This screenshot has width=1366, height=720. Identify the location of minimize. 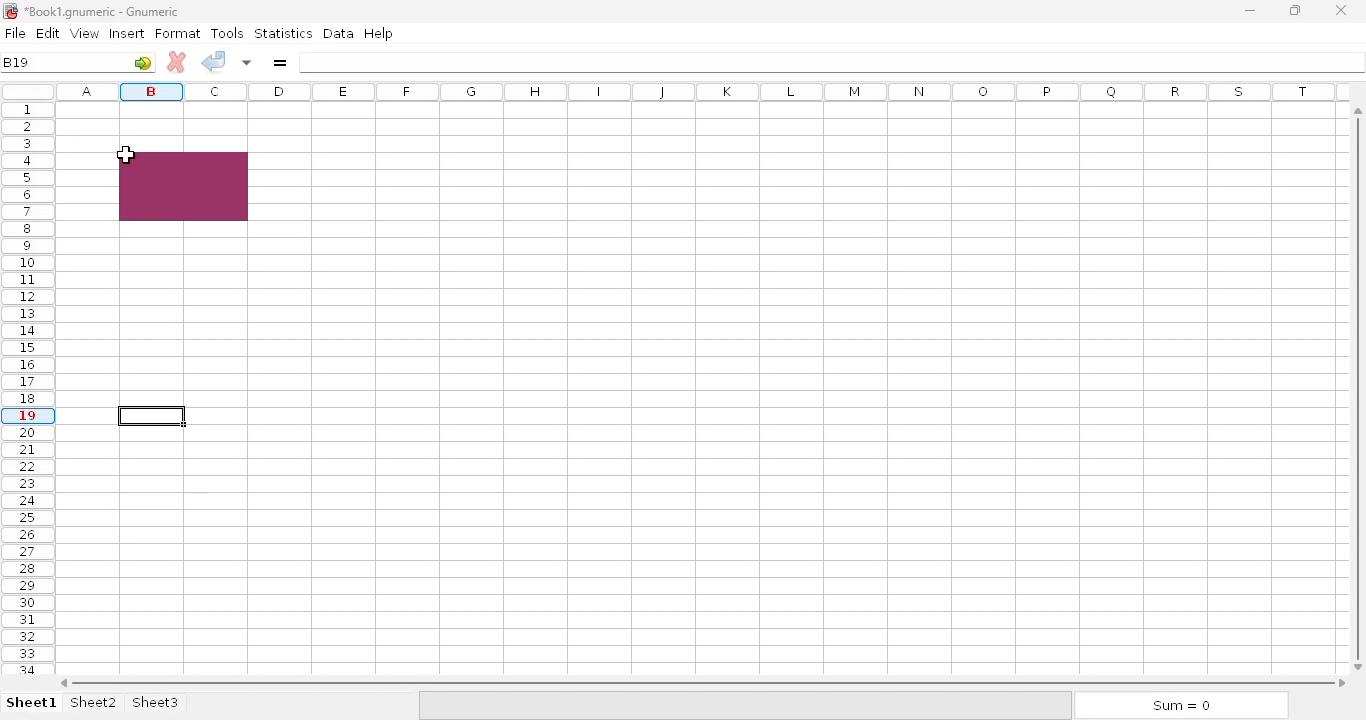
(1250, 11).